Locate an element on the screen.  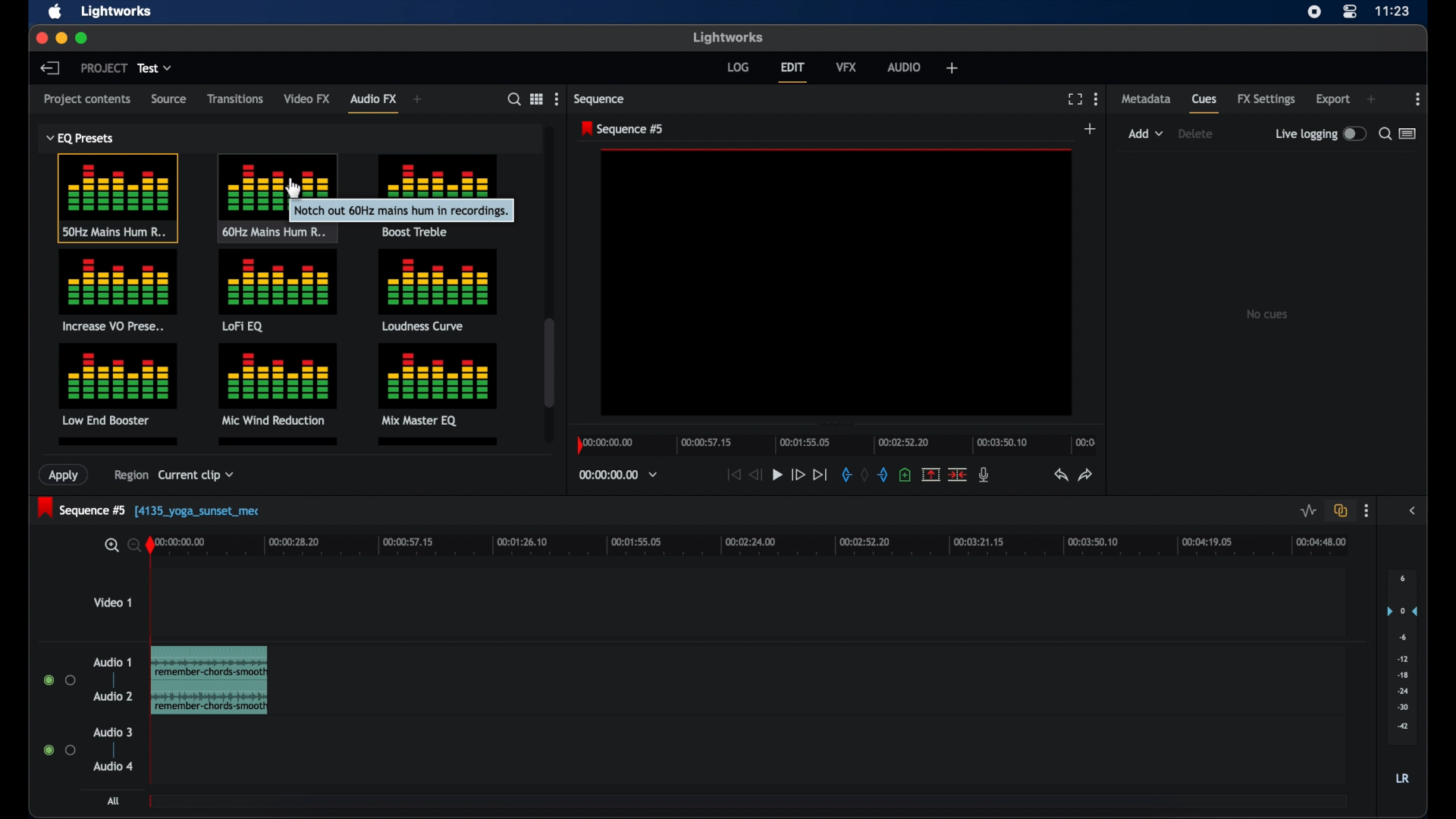
sequence is located at coordinates (622, 129).